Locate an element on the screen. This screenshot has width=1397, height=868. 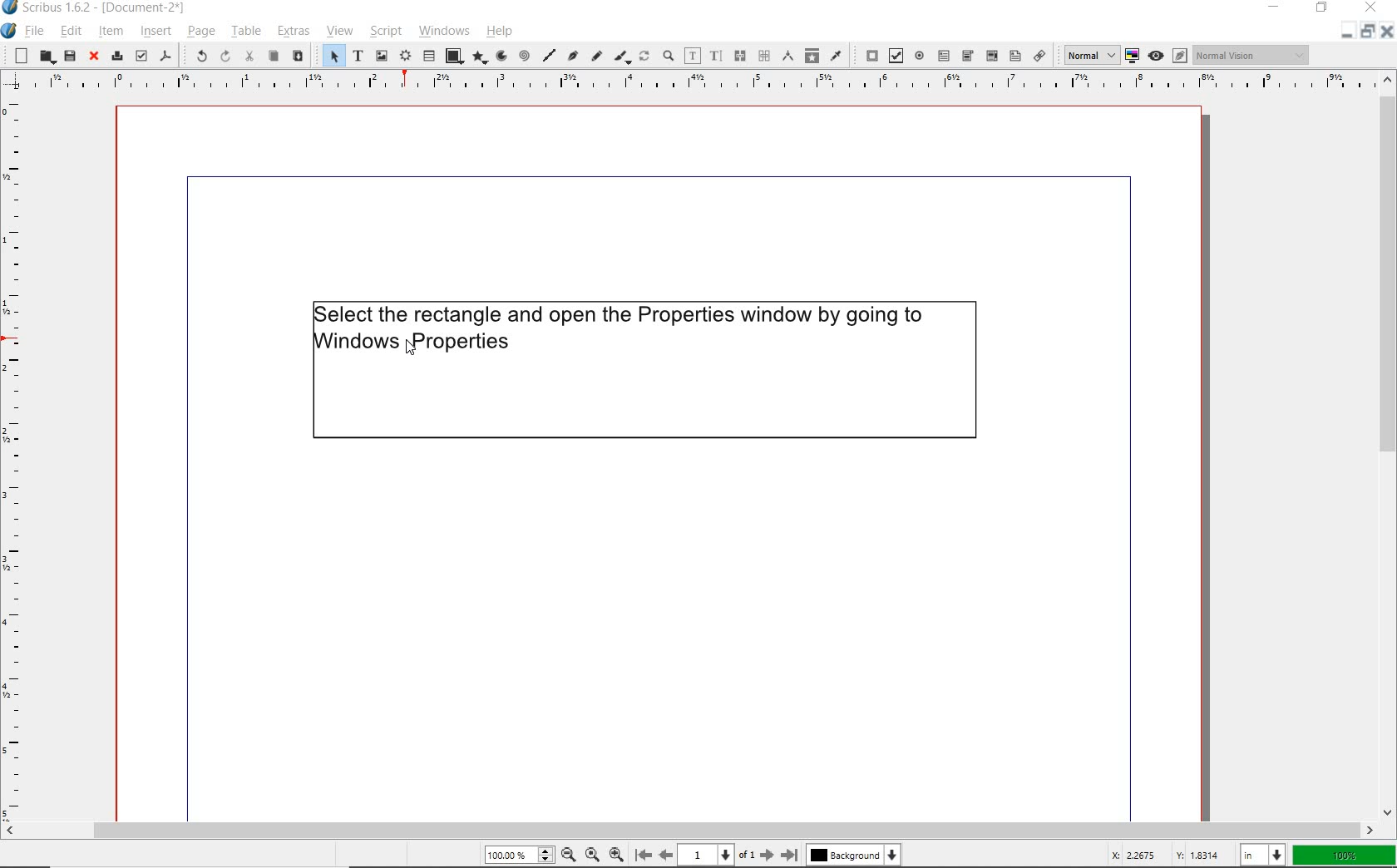
link text frames is located at coordinates (742, 57).